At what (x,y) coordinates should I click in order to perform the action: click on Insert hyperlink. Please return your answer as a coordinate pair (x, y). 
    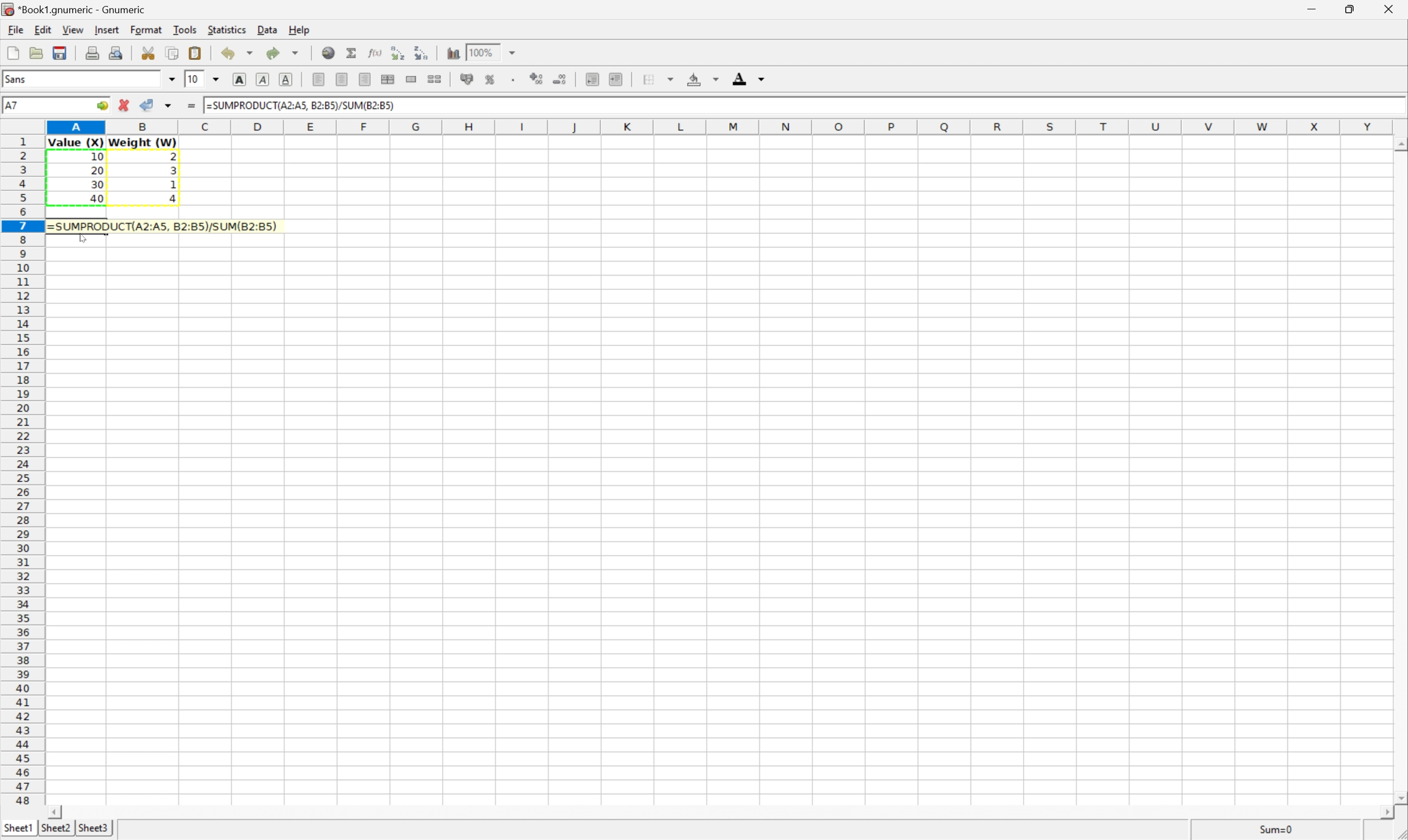
    Looking at the image, I should click on (330, 52).